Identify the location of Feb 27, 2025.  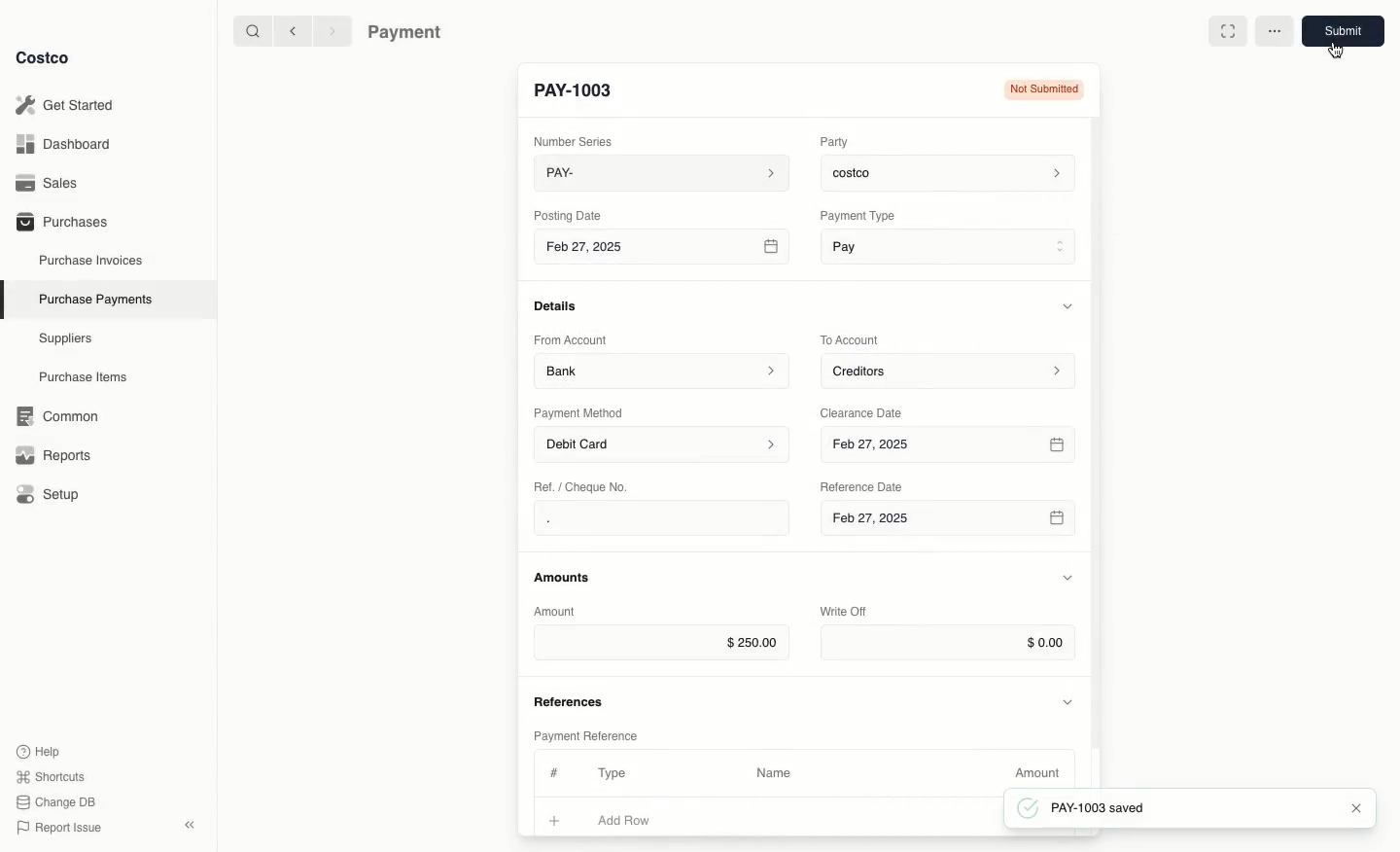
(947, 523).